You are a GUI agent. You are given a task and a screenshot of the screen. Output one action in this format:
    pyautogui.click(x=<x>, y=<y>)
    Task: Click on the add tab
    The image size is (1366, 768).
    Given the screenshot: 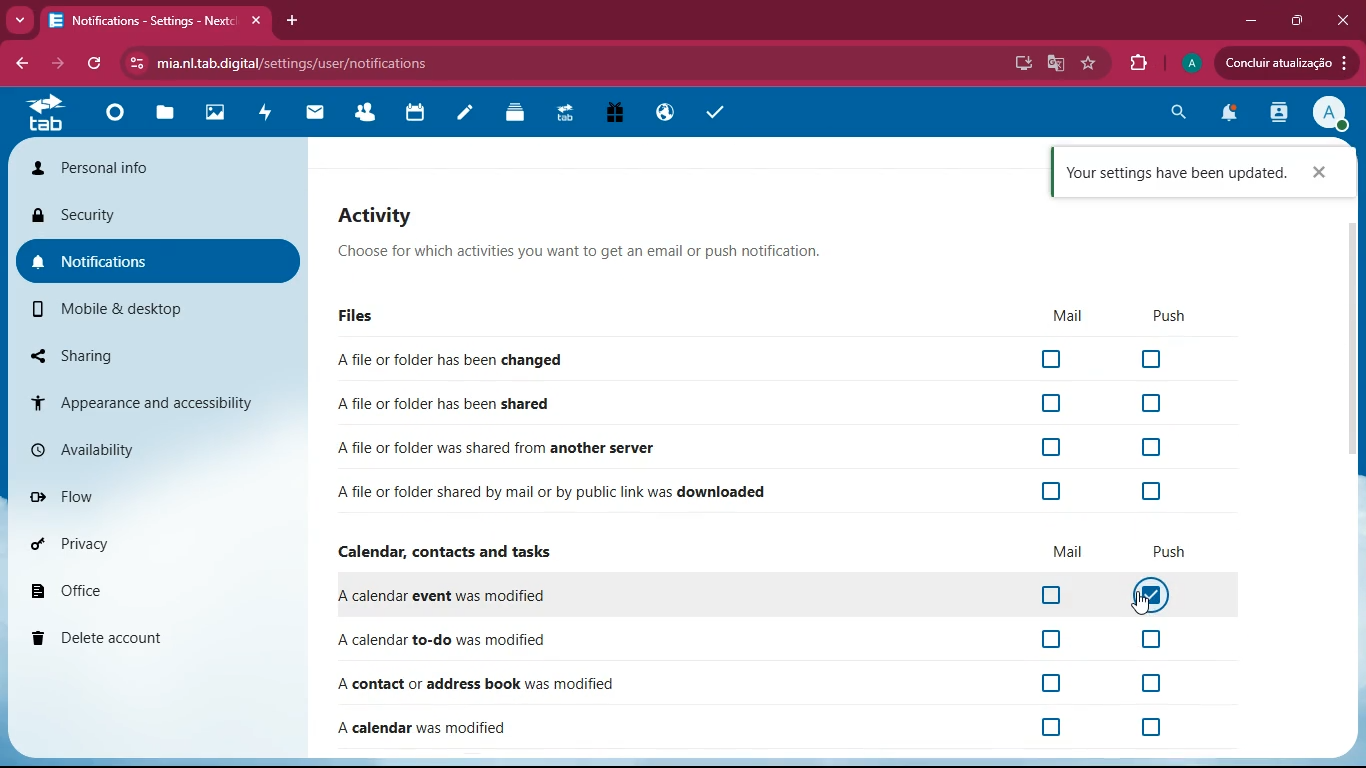 What is the action you would take?
    pyautogui.click(x=292, y=19)
    